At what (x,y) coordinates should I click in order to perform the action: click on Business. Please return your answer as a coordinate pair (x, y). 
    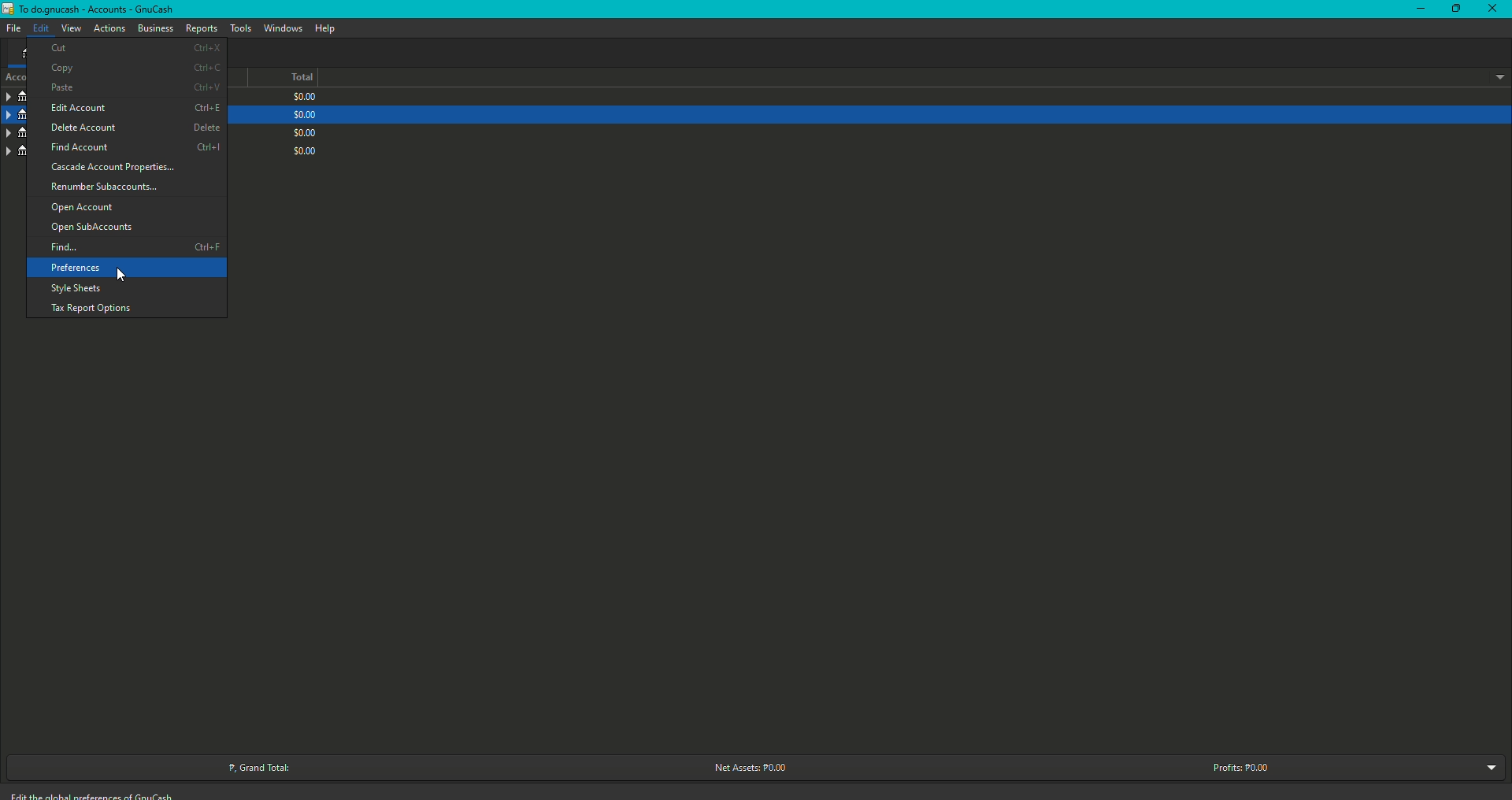
    Looking at the image, I should click on (154, 27).